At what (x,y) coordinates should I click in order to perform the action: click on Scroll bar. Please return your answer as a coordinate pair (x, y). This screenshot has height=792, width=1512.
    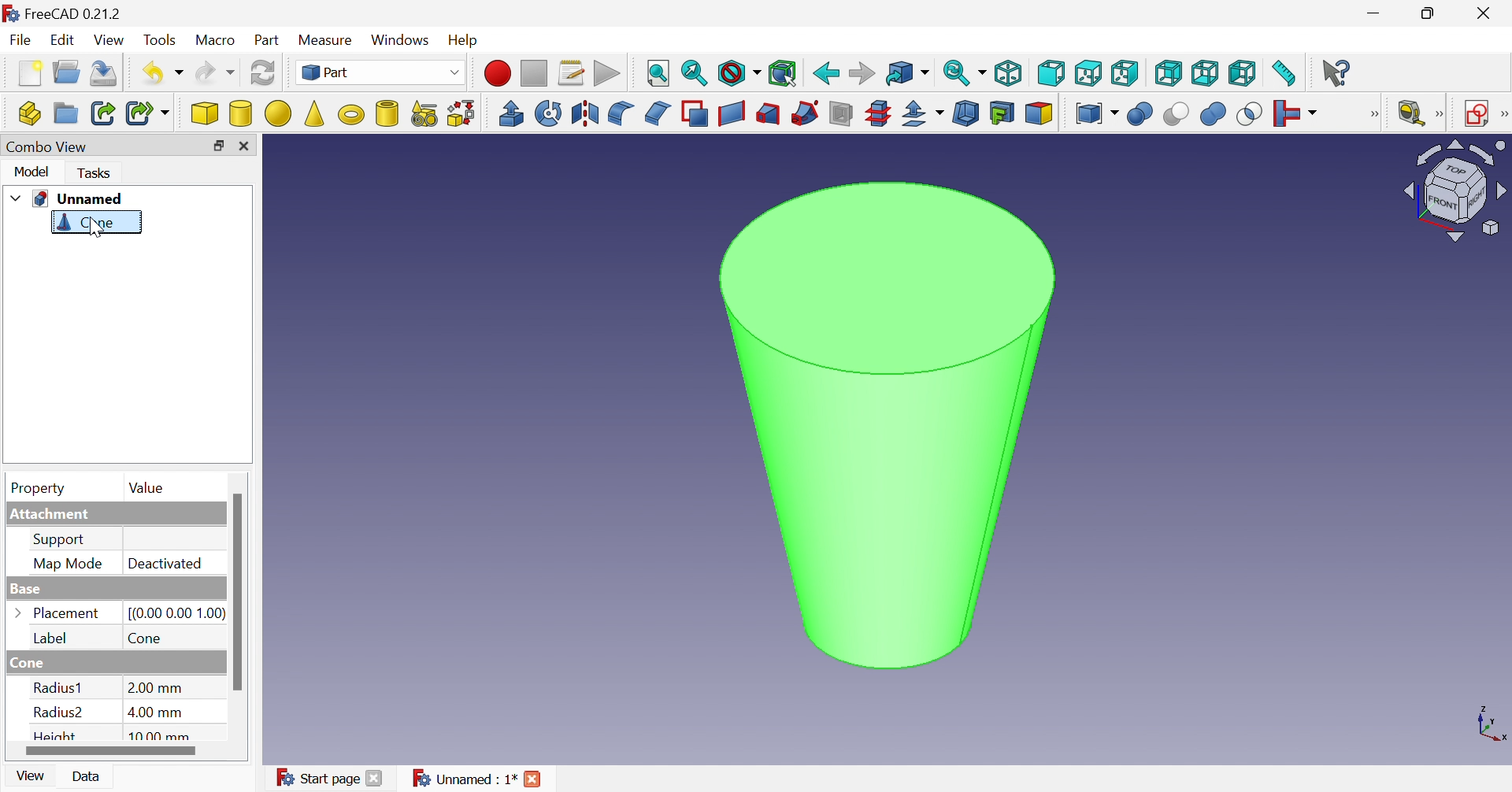
    Looking at the image, I should click on (111, 750).